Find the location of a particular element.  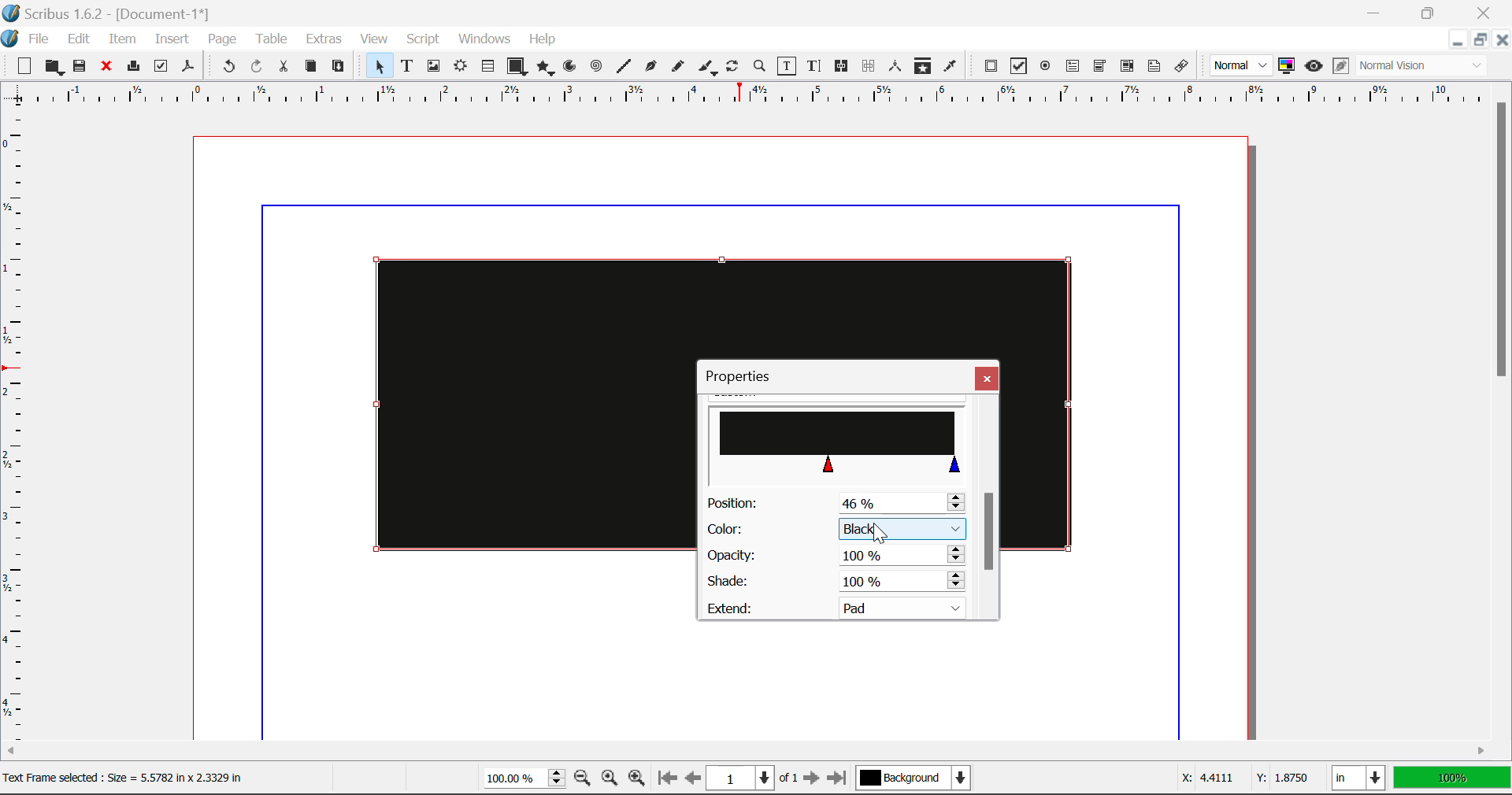

Previous Page is located at coordinates (693, 780).